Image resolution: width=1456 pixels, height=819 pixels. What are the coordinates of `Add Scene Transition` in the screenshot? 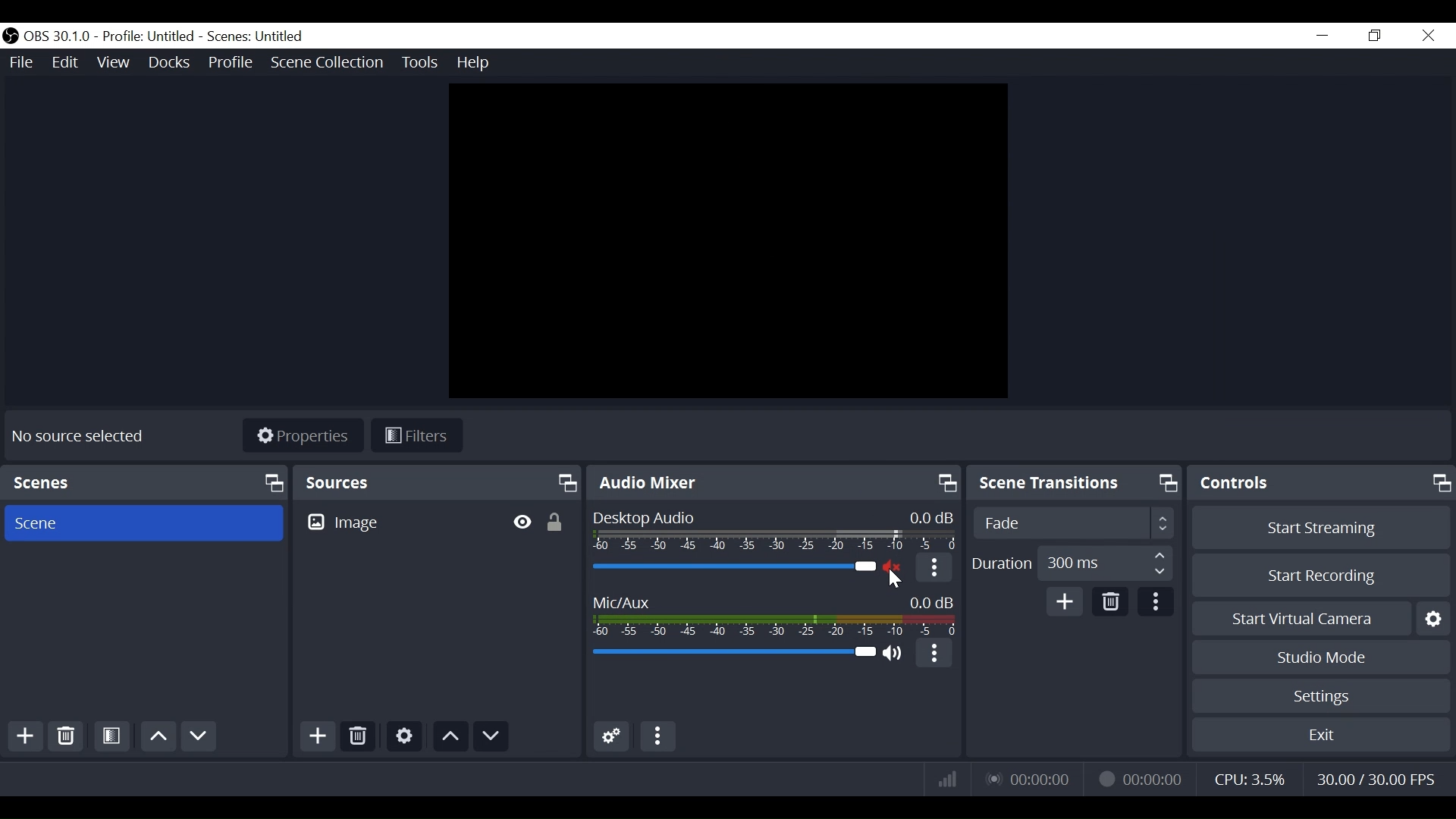 It's located at (1068, 601).